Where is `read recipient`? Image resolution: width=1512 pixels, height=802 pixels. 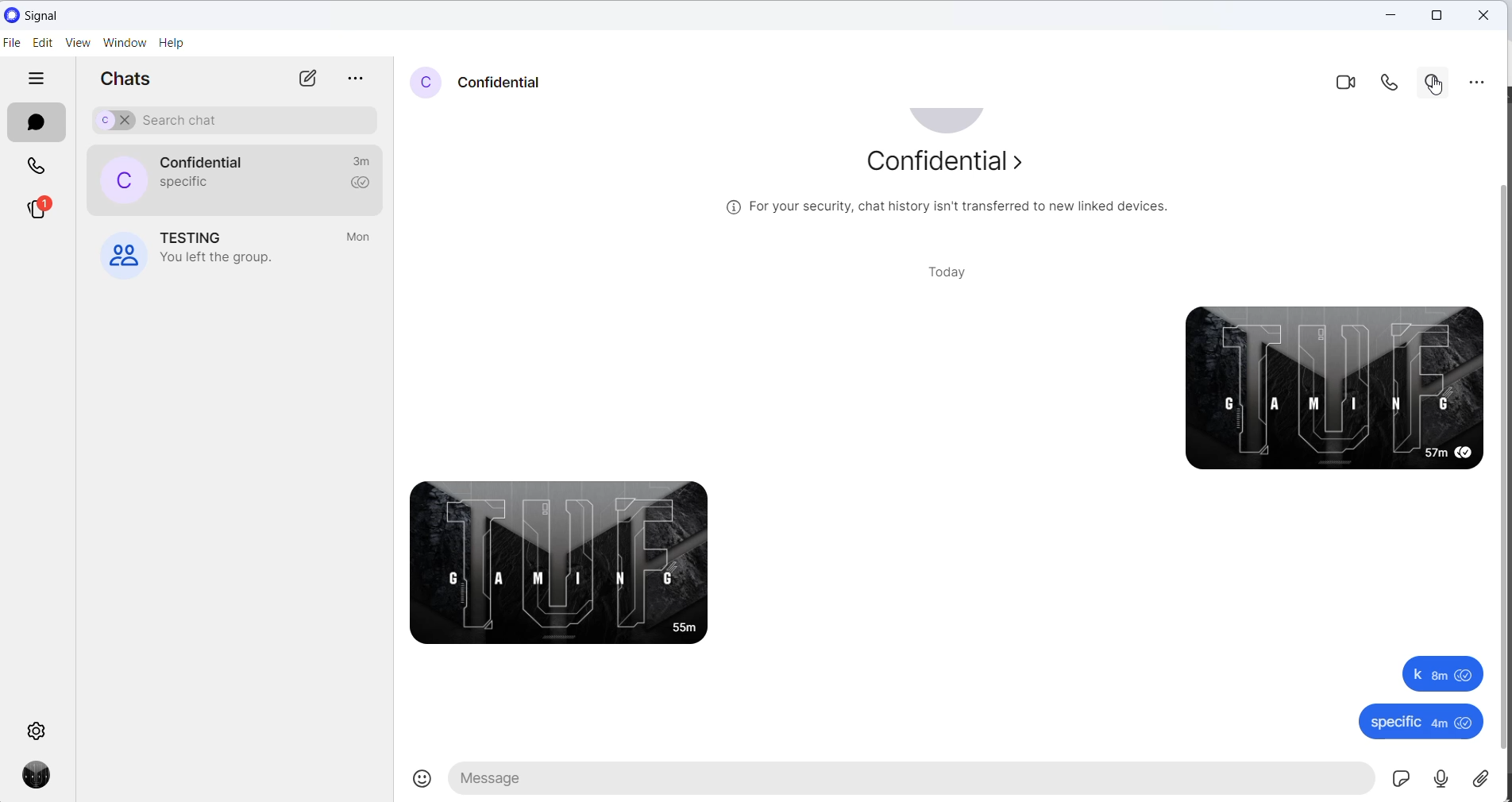
read recipient is located at coordinates (364, 183).